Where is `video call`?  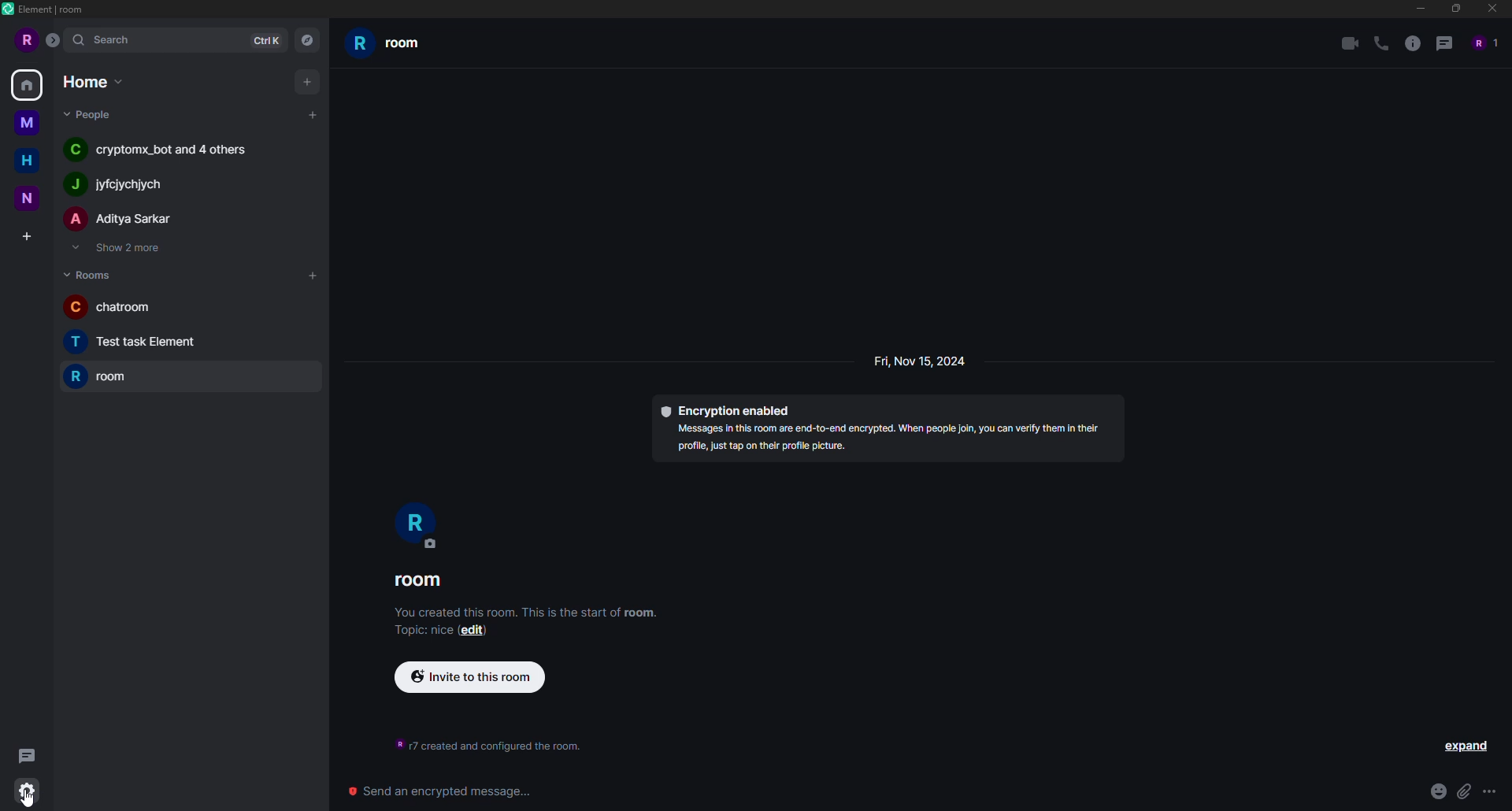 video call is located at coordinates (1347, 43).